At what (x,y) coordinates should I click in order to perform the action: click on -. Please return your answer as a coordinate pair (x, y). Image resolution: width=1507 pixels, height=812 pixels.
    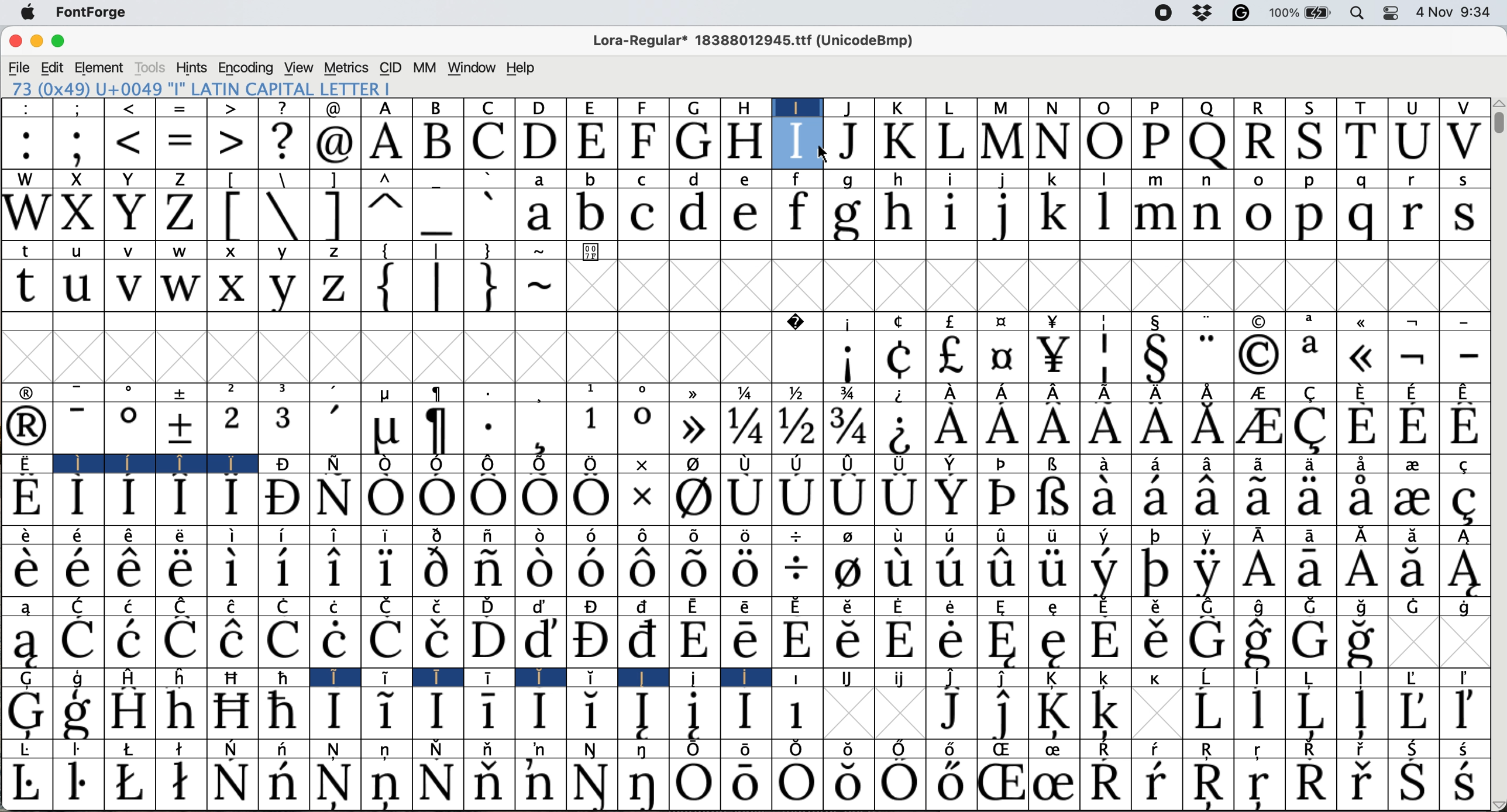
    Looking at the image, I should click on (78, 428).